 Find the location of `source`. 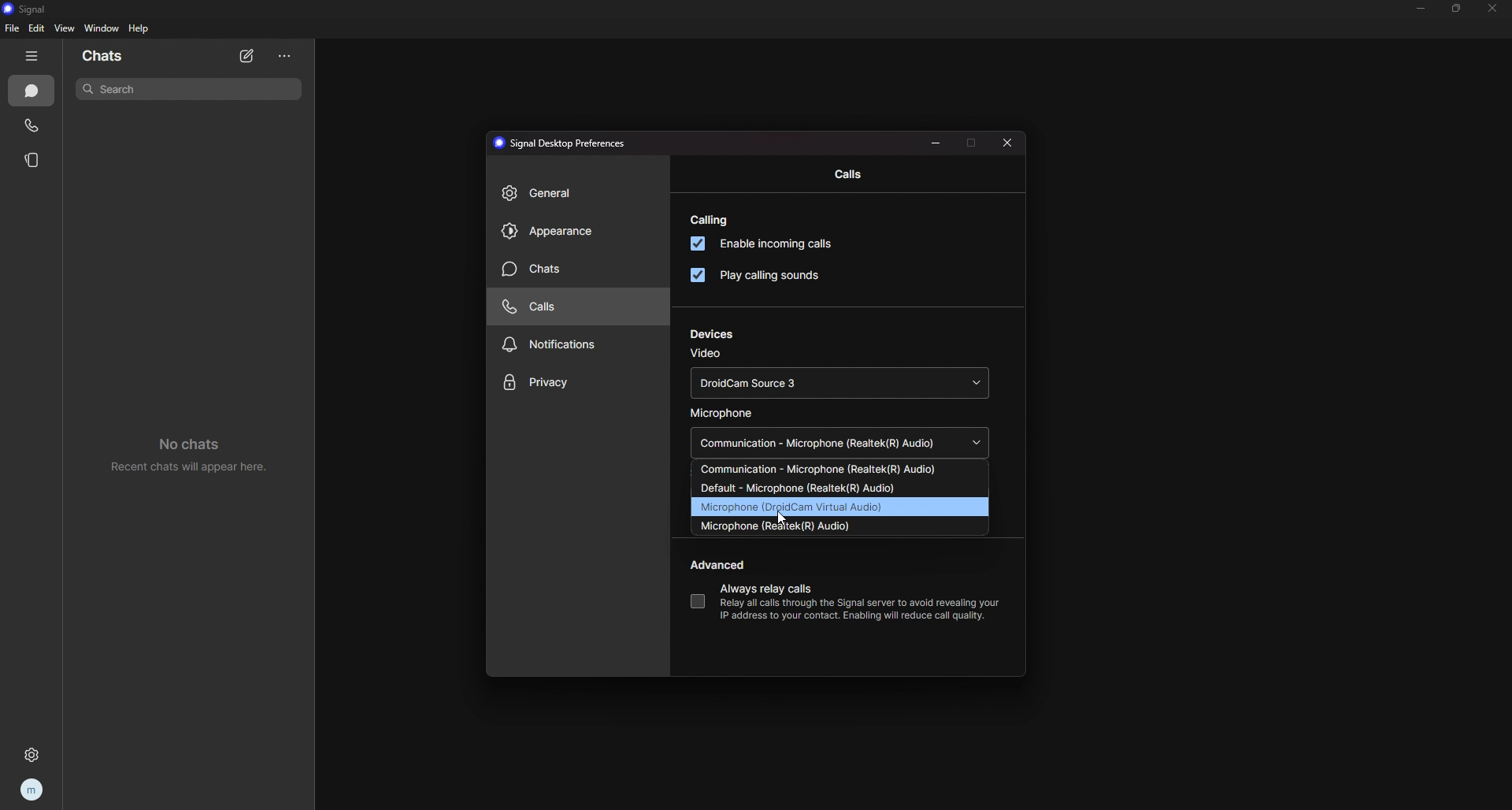

source is located at coordinates (841, 506).